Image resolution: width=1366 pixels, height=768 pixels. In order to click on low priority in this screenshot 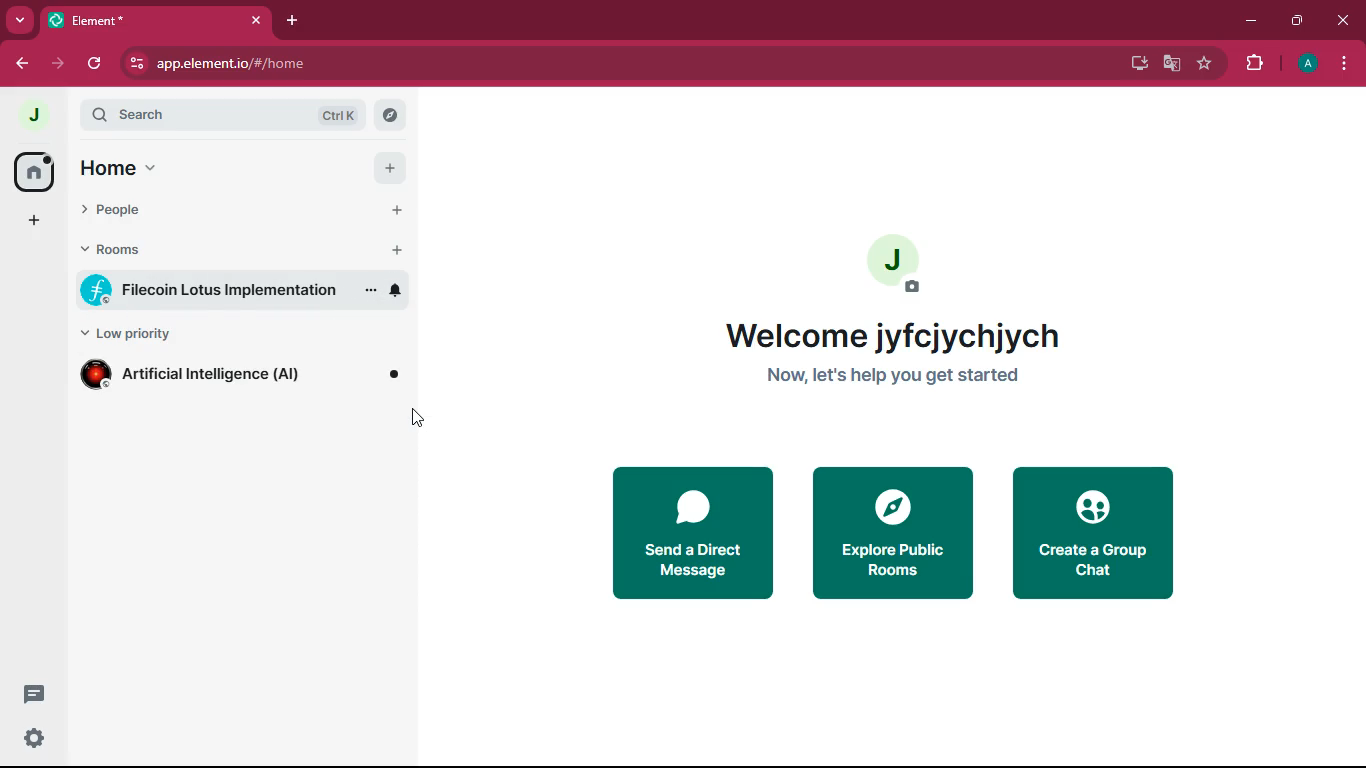, I will do `click(137, 335)`.